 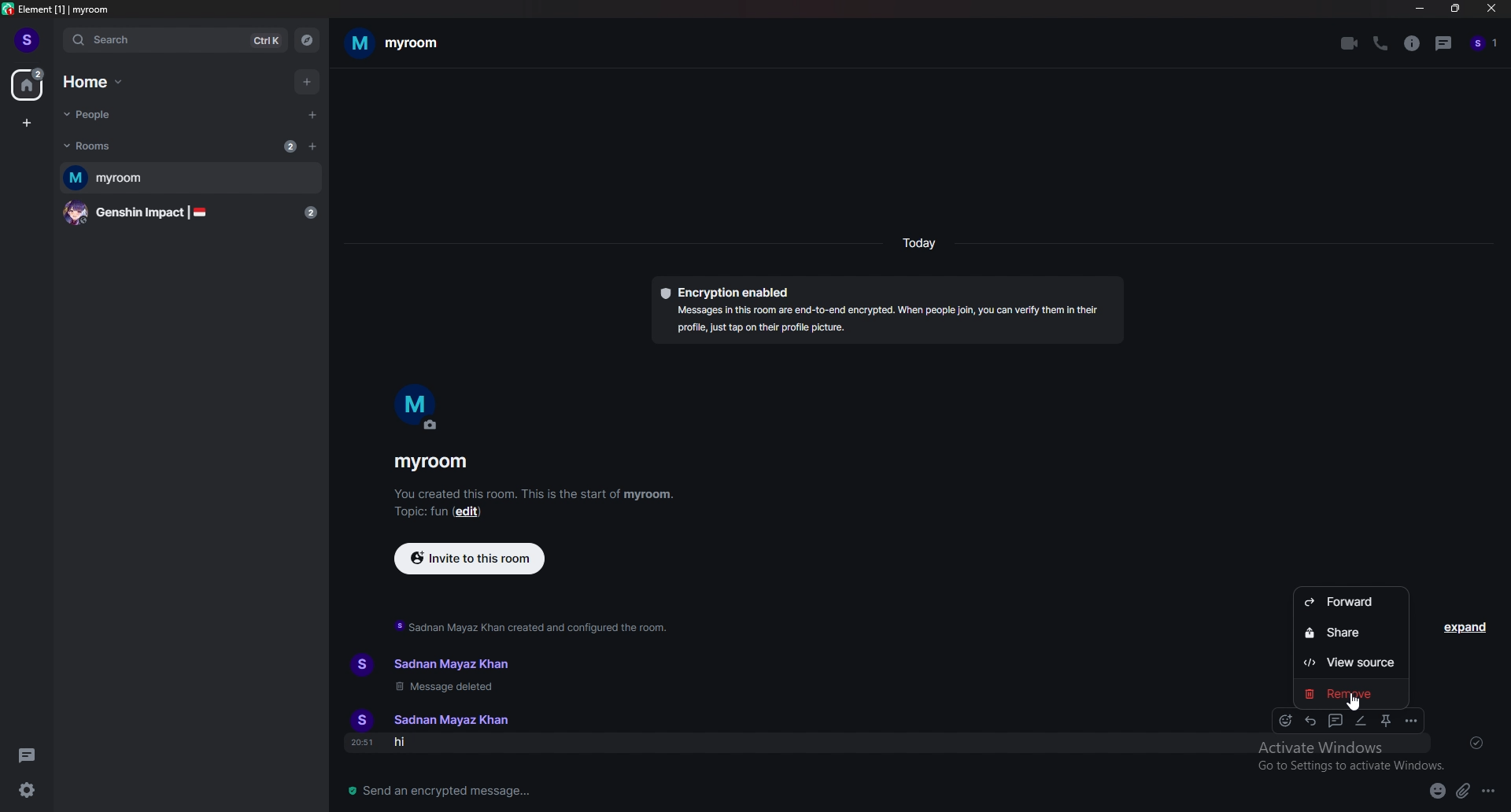 What do you see at coordinates (58, 9) in the screenshot?
I see `element [1] | myroom` at bounding box center [58, 9].